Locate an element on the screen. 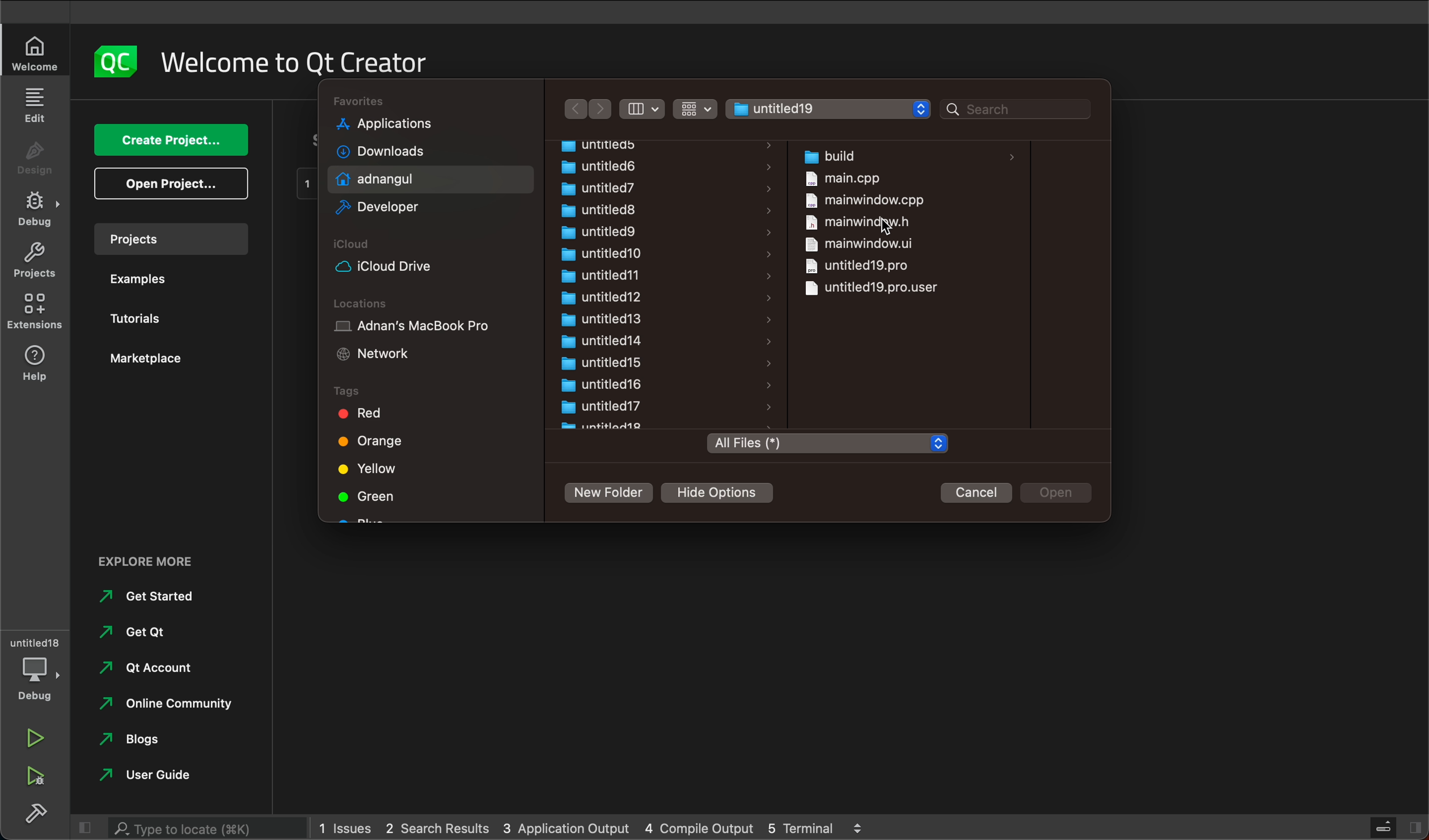  adnan's macbook pro is located at coordinates (429, 328).